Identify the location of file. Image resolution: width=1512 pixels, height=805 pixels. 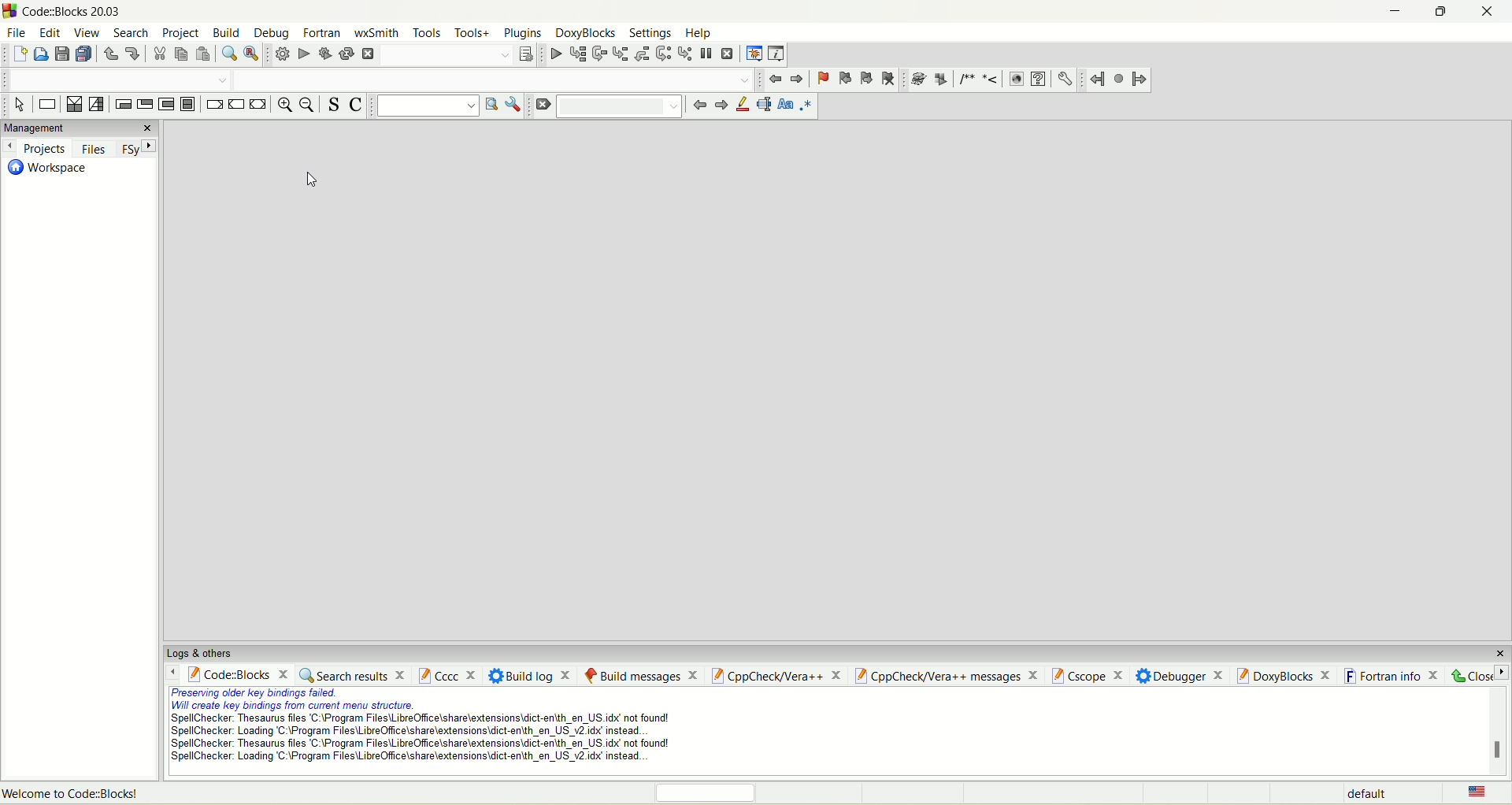
(15, 32).